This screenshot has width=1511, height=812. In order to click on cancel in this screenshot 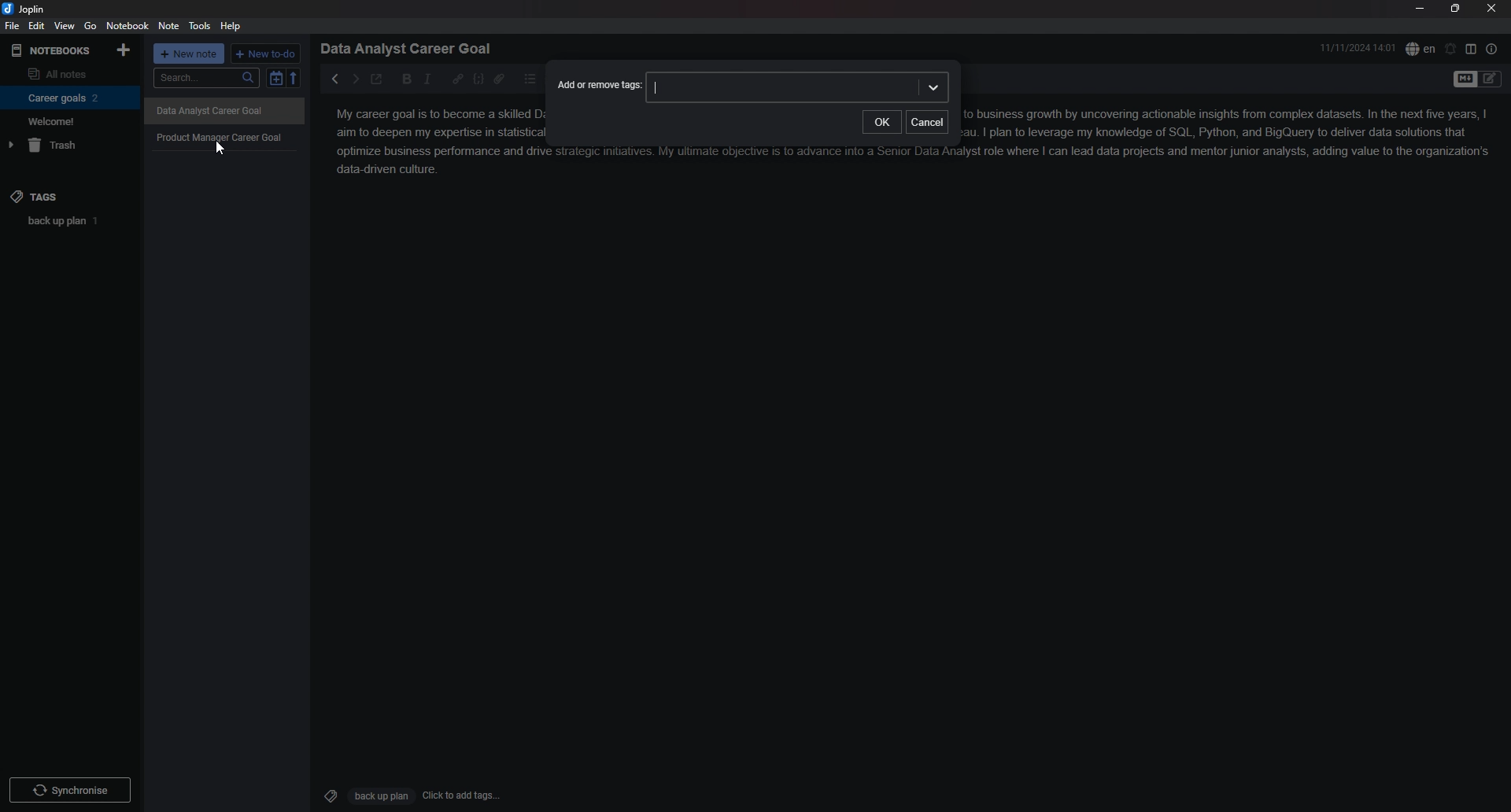, I will do `click(928, 122)`.